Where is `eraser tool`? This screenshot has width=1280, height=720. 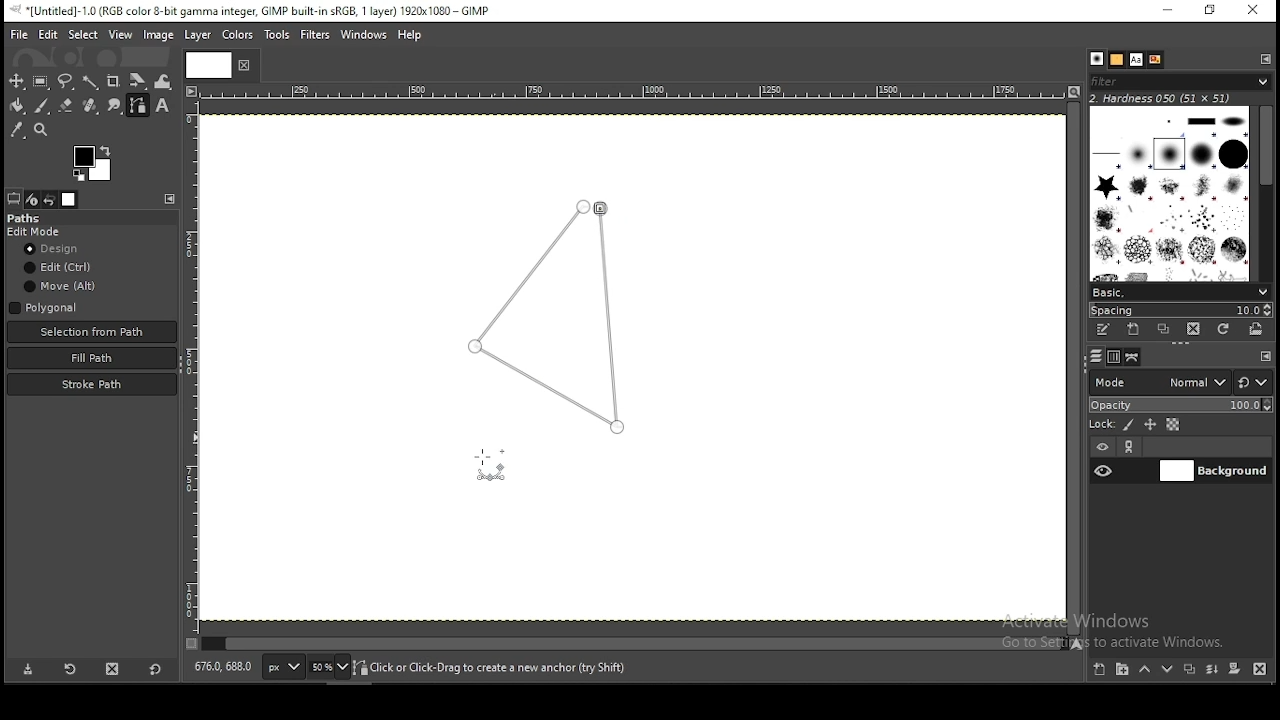 eraser tool is located at coordinates (66, 108).